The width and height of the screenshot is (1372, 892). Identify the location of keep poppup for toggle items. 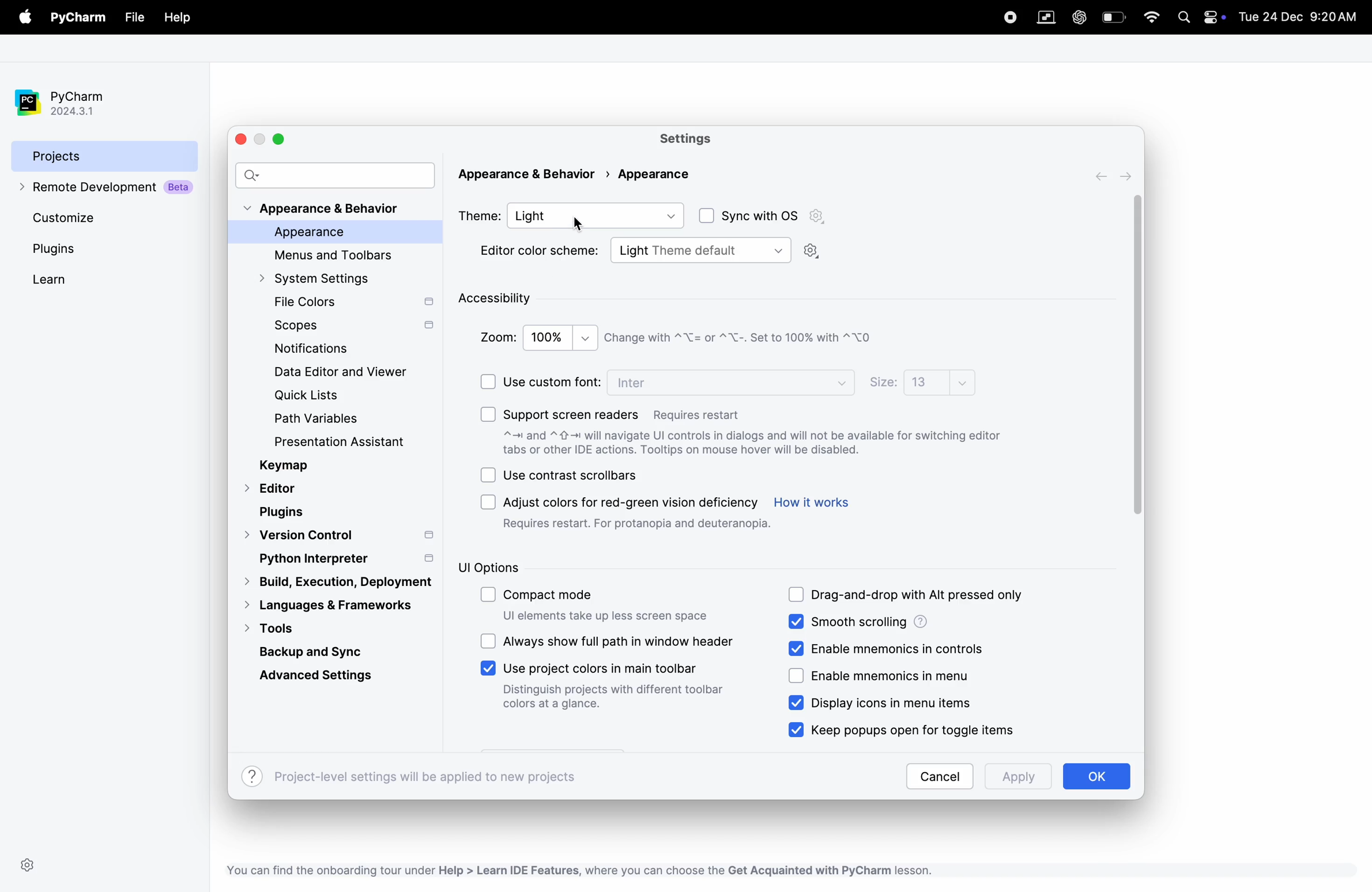
(924, 728).